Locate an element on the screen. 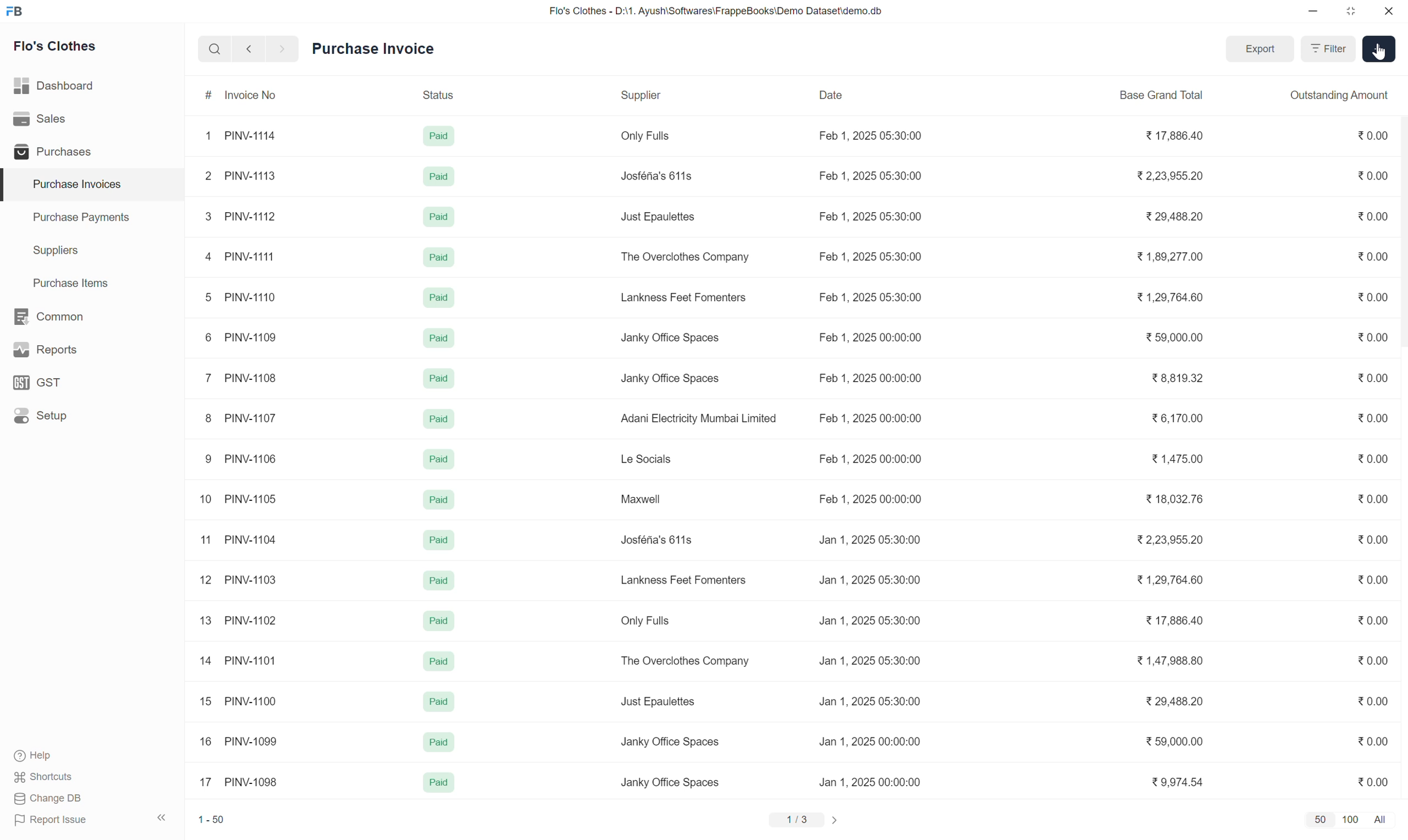  2,23,955.20 is located at coordinates (1171, 176).